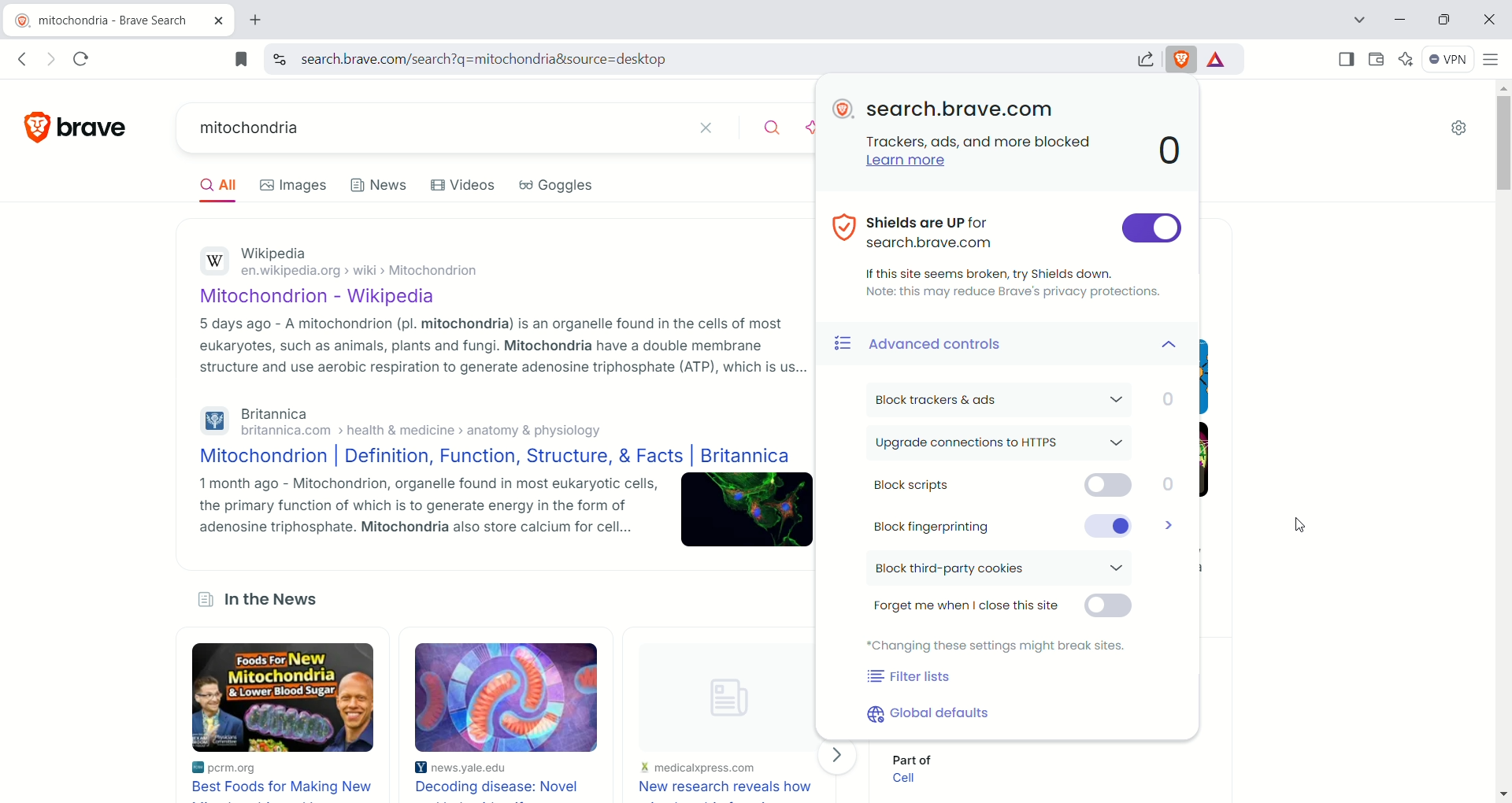 The height and width of the screenshot is (803, 1512). Describe the element at coordinates (1152, 228) in the screenshot. I see `on` at that location.